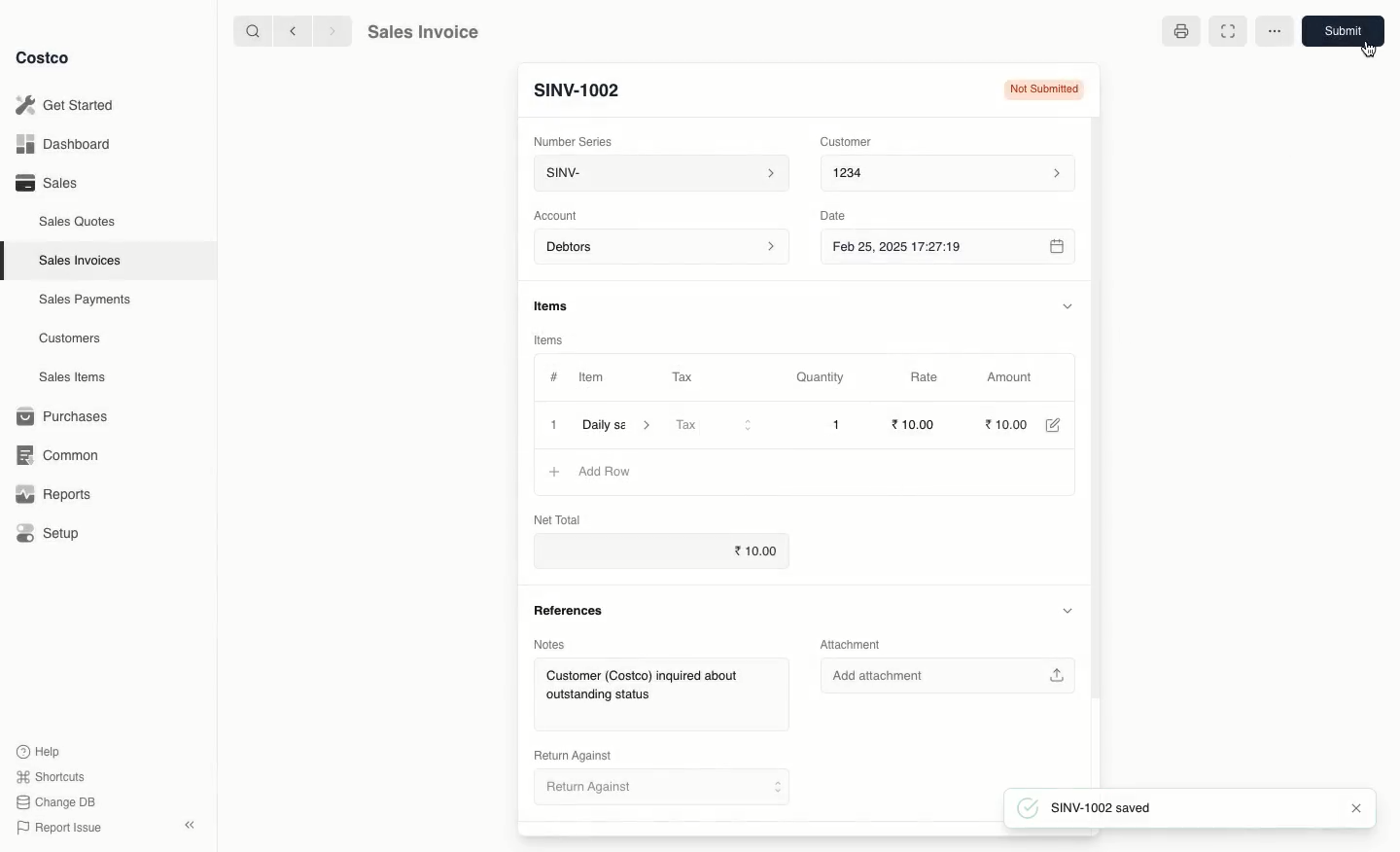 This screenshot has height=852, width=1400. Describe the element at coordinates (1060, 425) in the screenshot. I see `Edit` at that location.